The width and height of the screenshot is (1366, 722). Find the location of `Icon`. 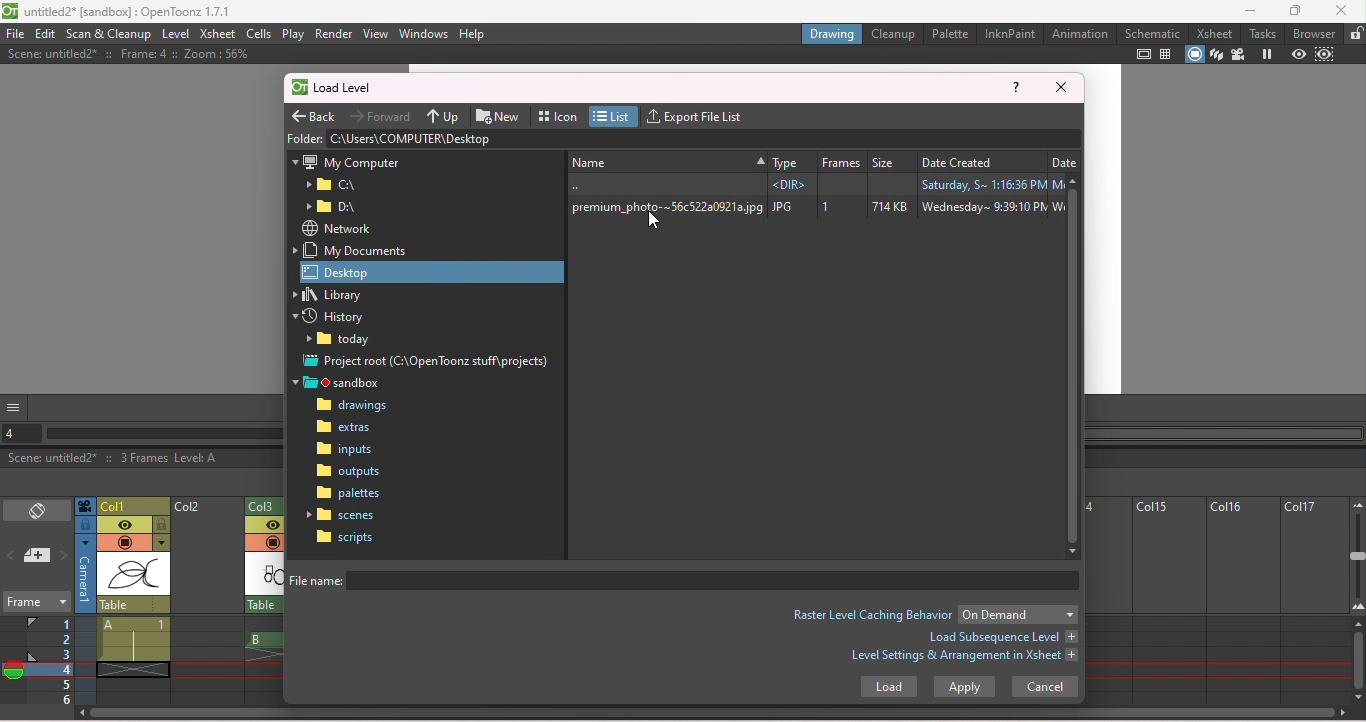

Icon is located at coordinates (559, 114).